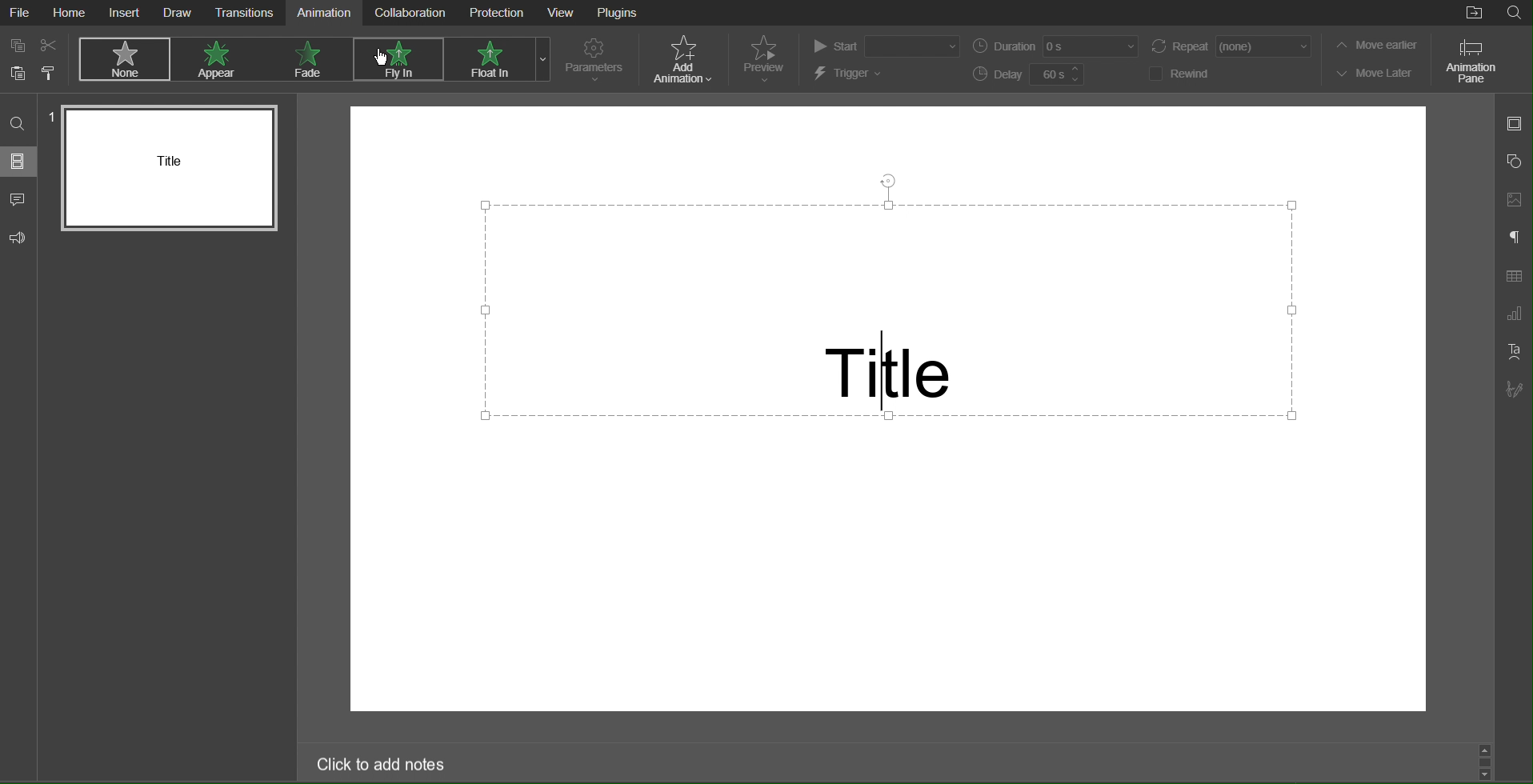  I want to click on Parameters, so click(597, 61).